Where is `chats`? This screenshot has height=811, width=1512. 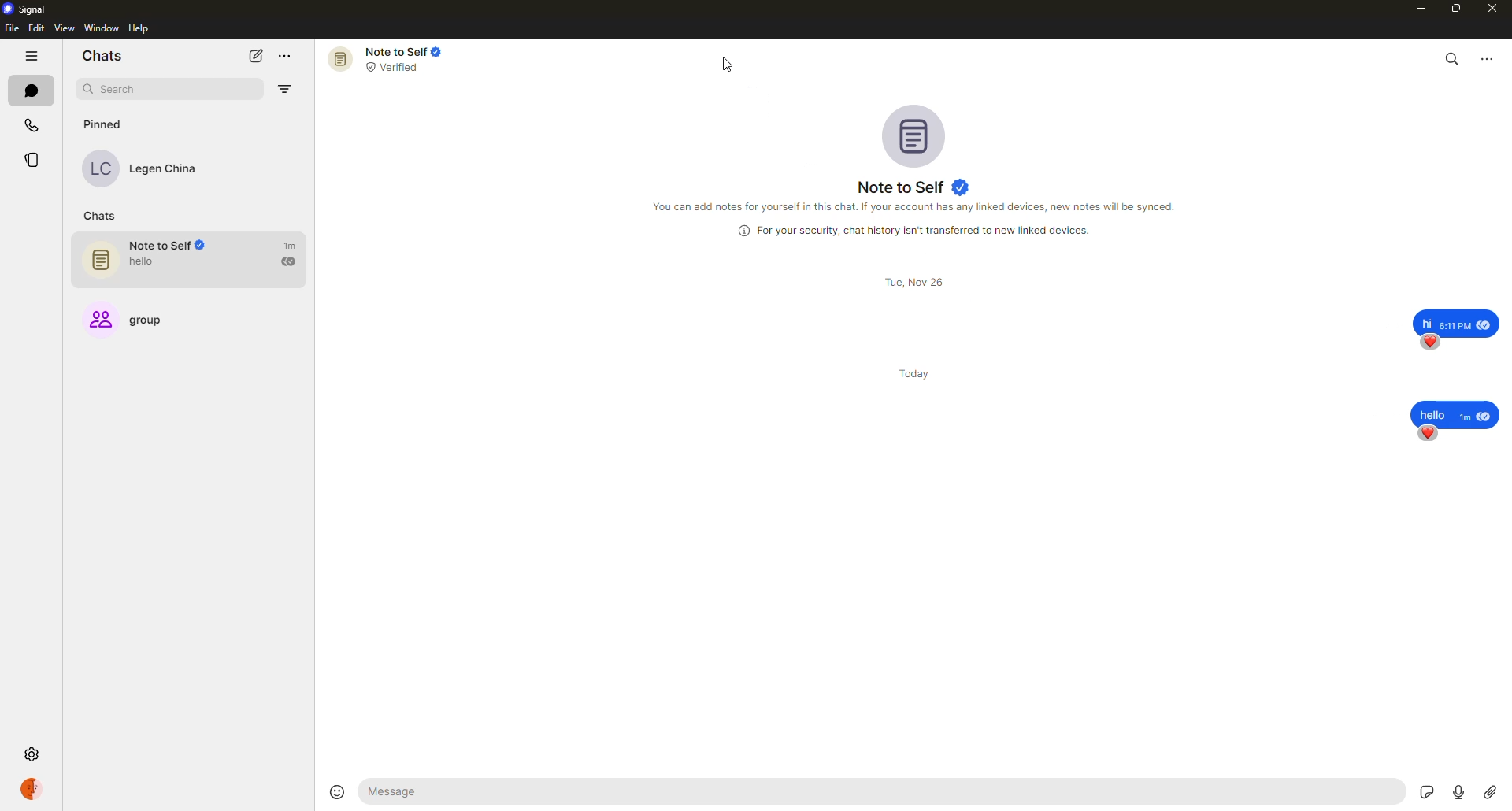
chats is located at coordinates (31, 90).